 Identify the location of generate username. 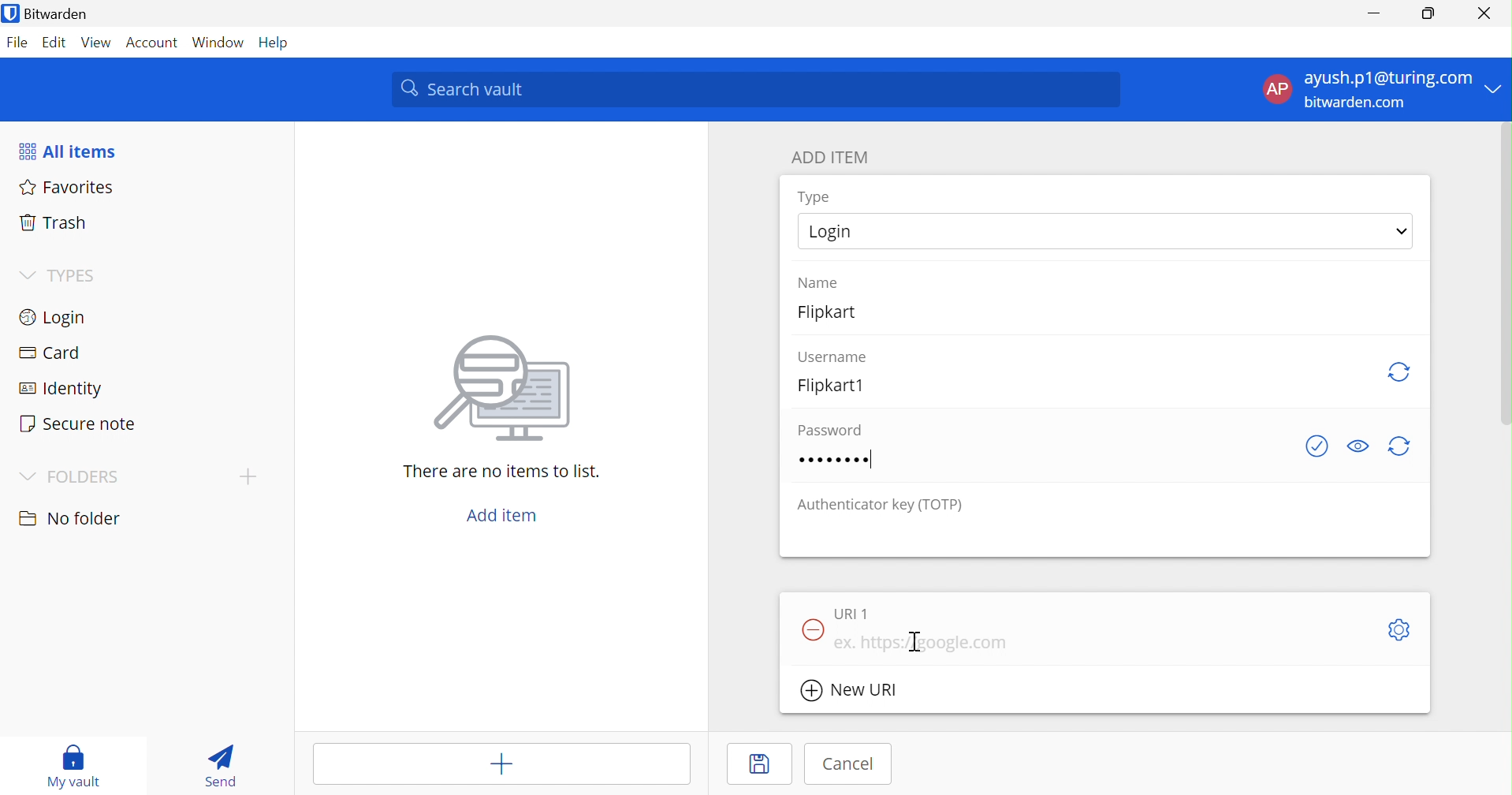
(1400, 370).